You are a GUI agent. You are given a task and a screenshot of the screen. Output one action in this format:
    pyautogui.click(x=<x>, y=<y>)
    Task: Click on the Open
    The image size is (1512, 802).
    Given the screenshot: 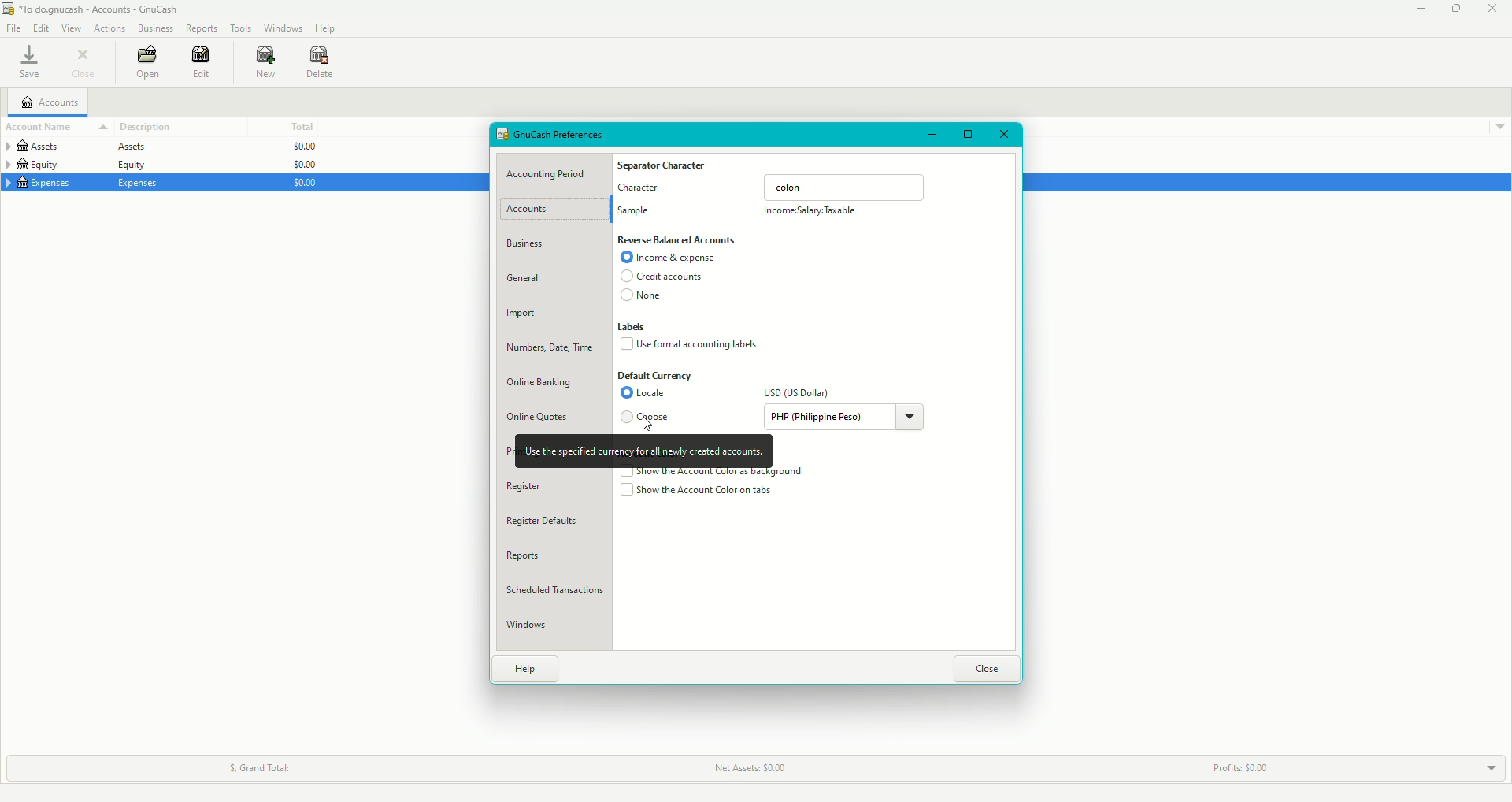 What is the action you would take?
    pyautogui.click(x=149, y=61)
    